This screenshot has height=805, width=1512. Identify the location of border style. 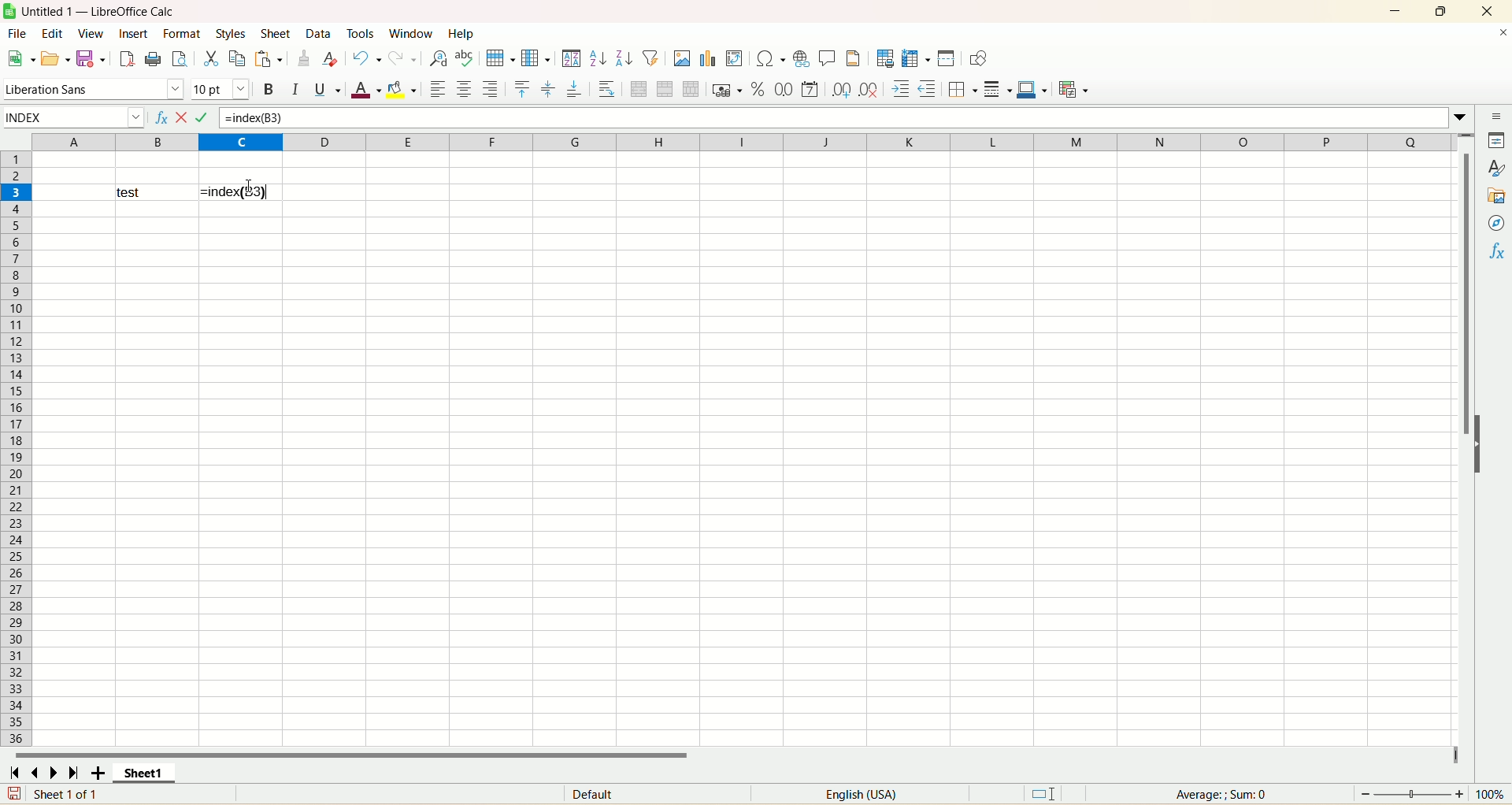
(998, 89).